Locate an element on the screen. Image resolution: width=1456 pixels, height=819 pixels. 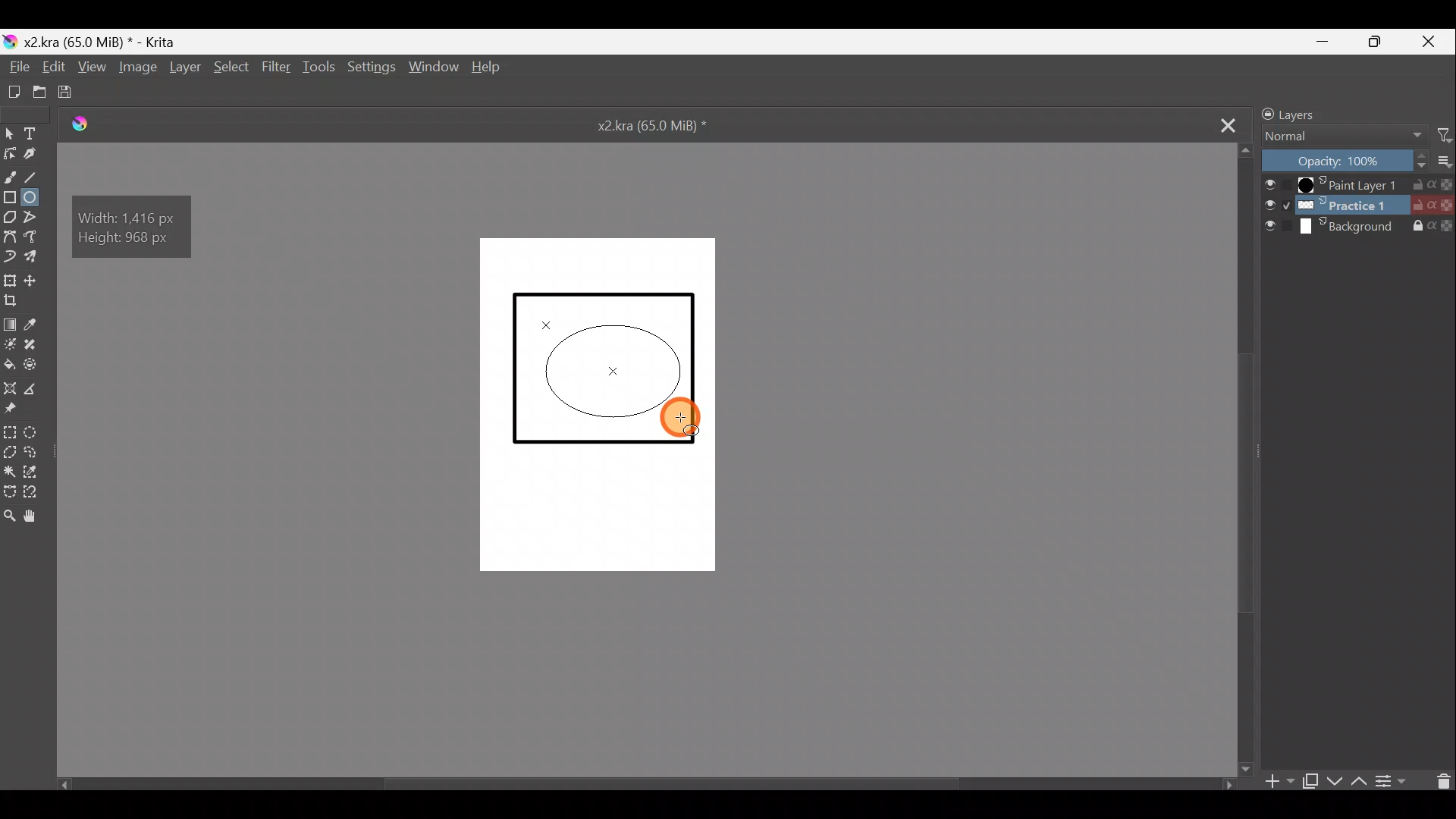
Open existing document is located at coordinates (39, 91).